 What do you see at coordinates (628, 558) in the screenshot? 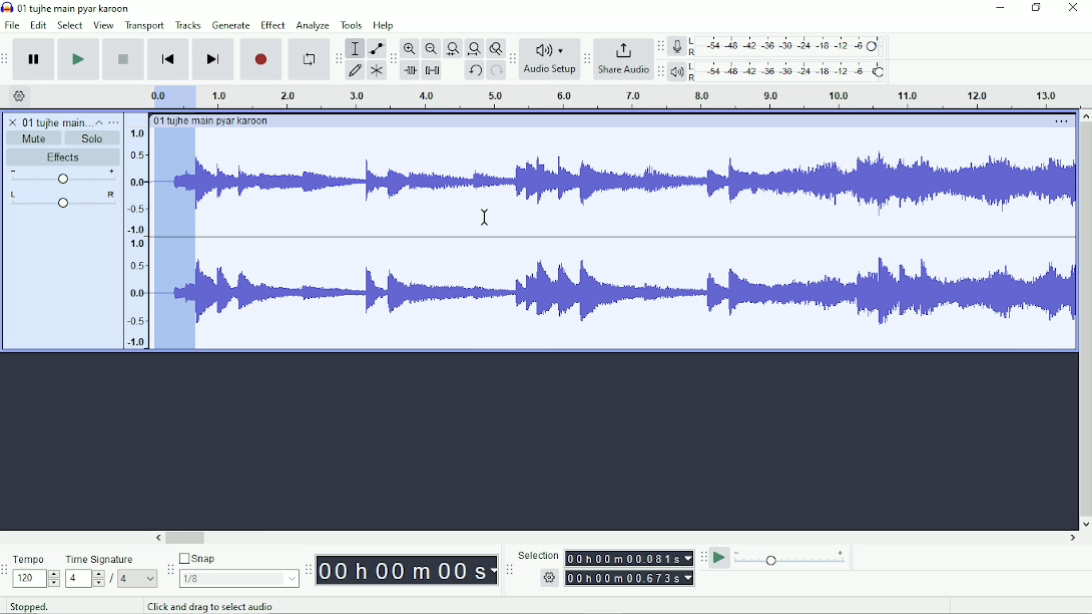
I see `00 h 00 m 00.081s` at bounding box center [628, 558].